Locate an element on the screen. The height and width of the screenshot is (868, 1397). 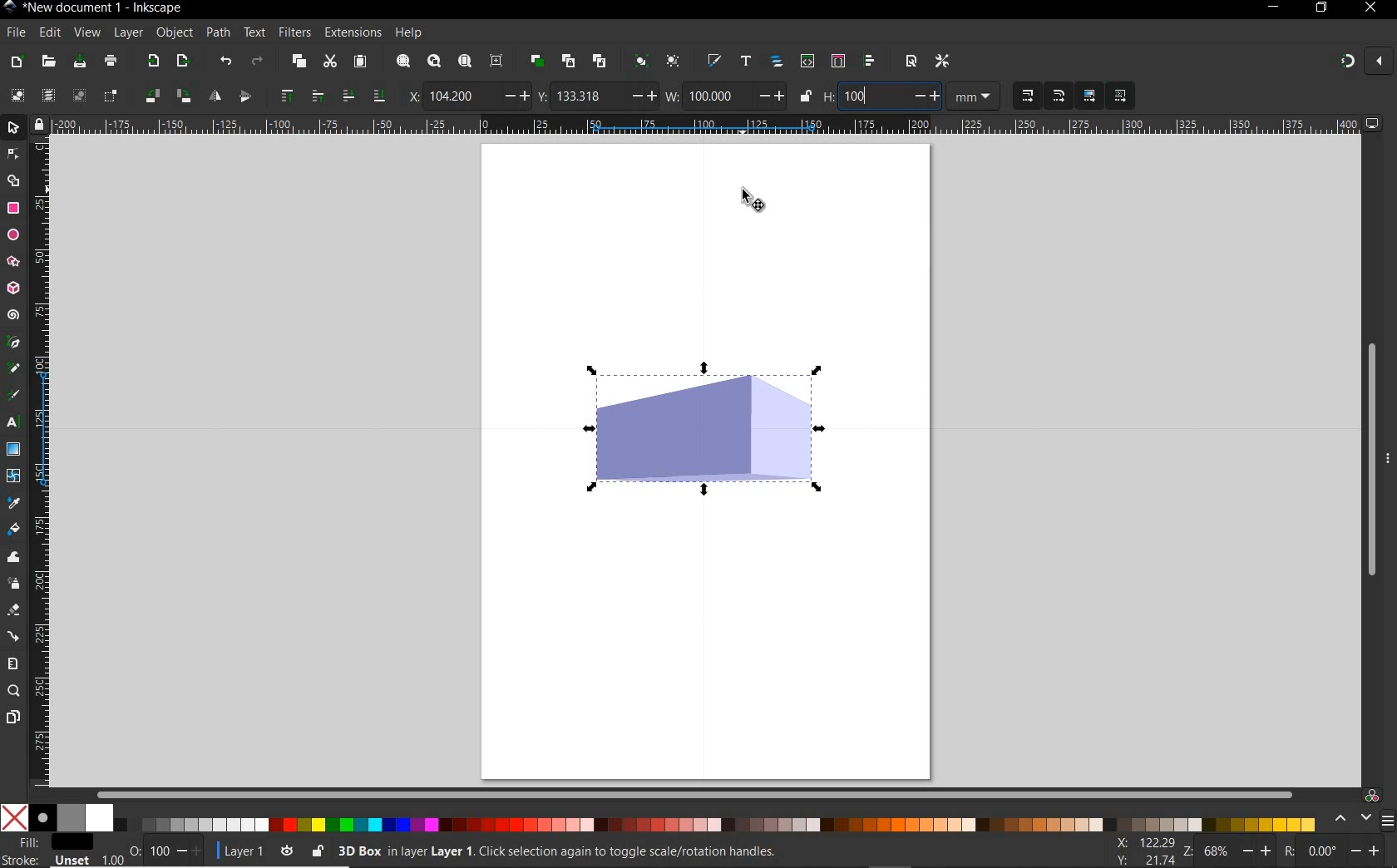
fill and stroke is located at coordinates (49, 851).